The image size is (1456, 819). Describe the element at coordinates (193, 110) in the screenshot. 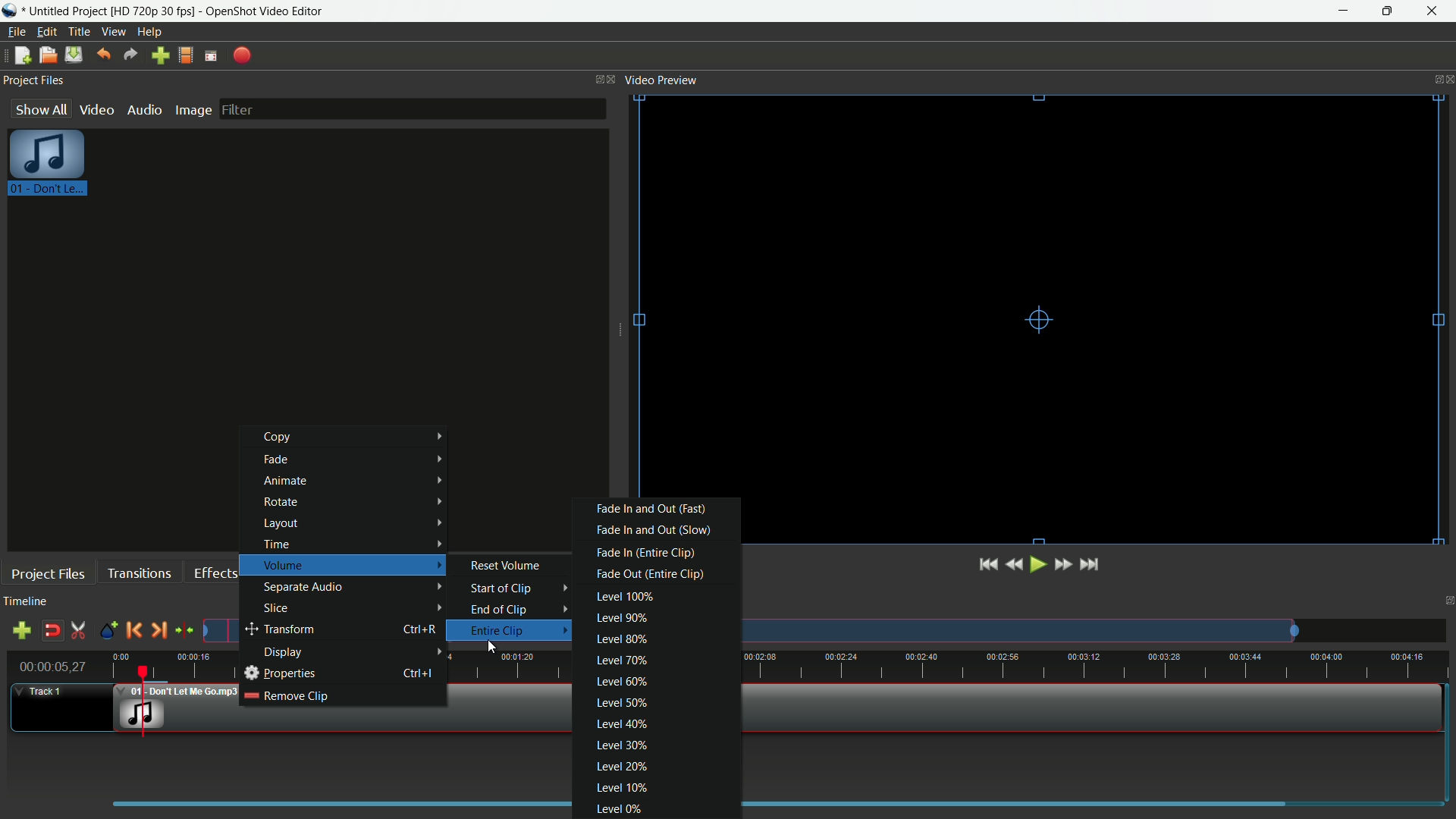

I see `image` at that location.